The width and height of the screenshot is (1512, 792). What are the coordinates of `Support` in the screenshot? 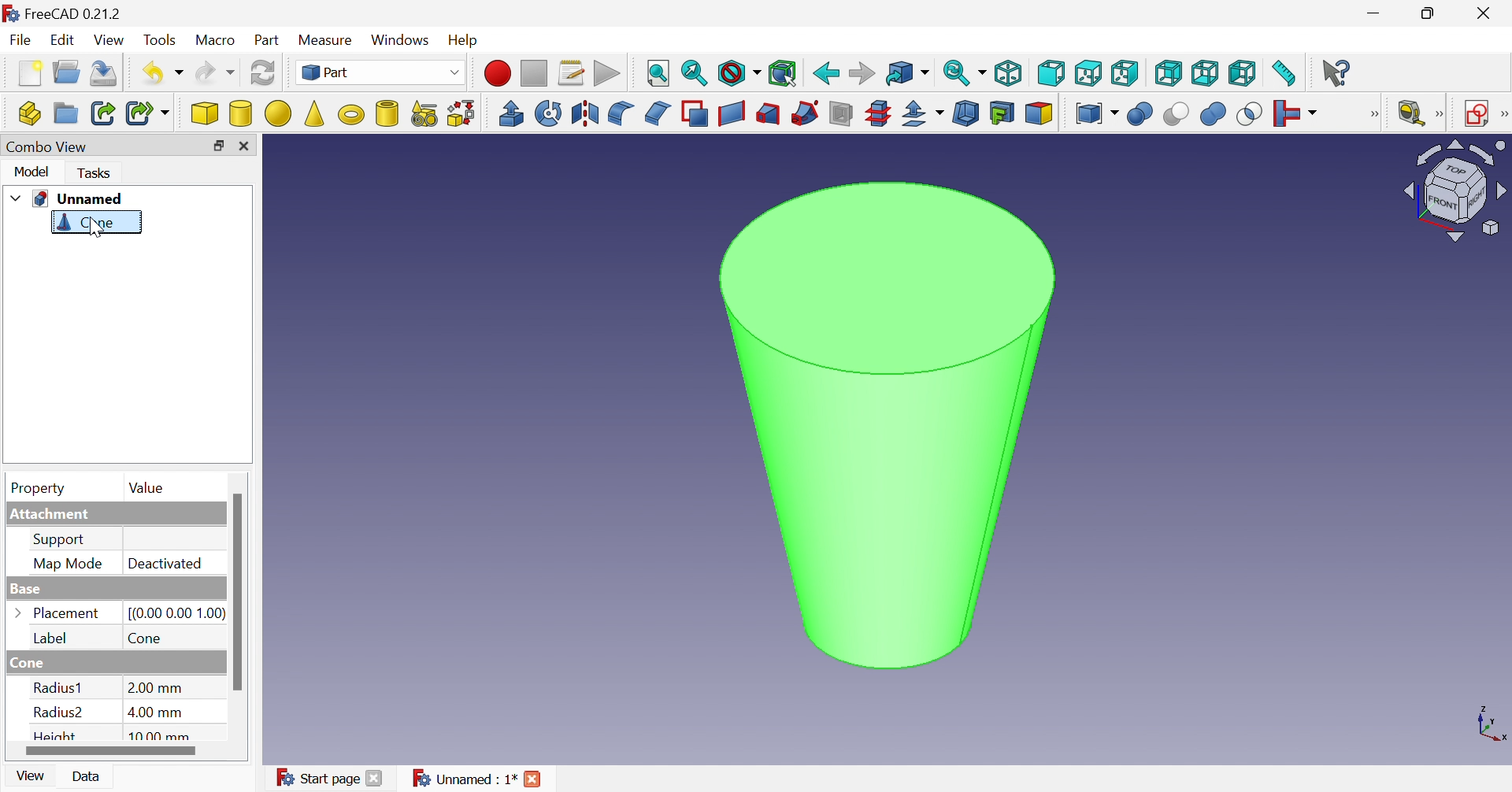 It's located at (59, 540).